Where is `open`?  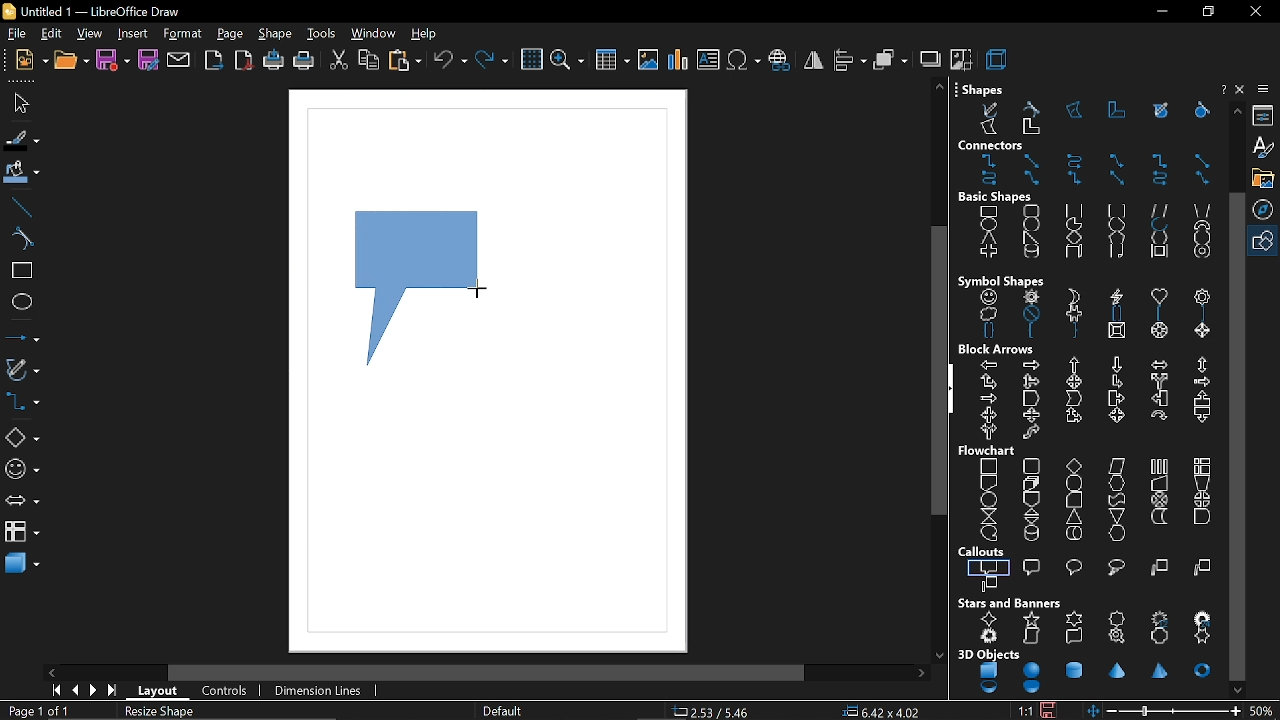 open is located at coordinates (70, 63).